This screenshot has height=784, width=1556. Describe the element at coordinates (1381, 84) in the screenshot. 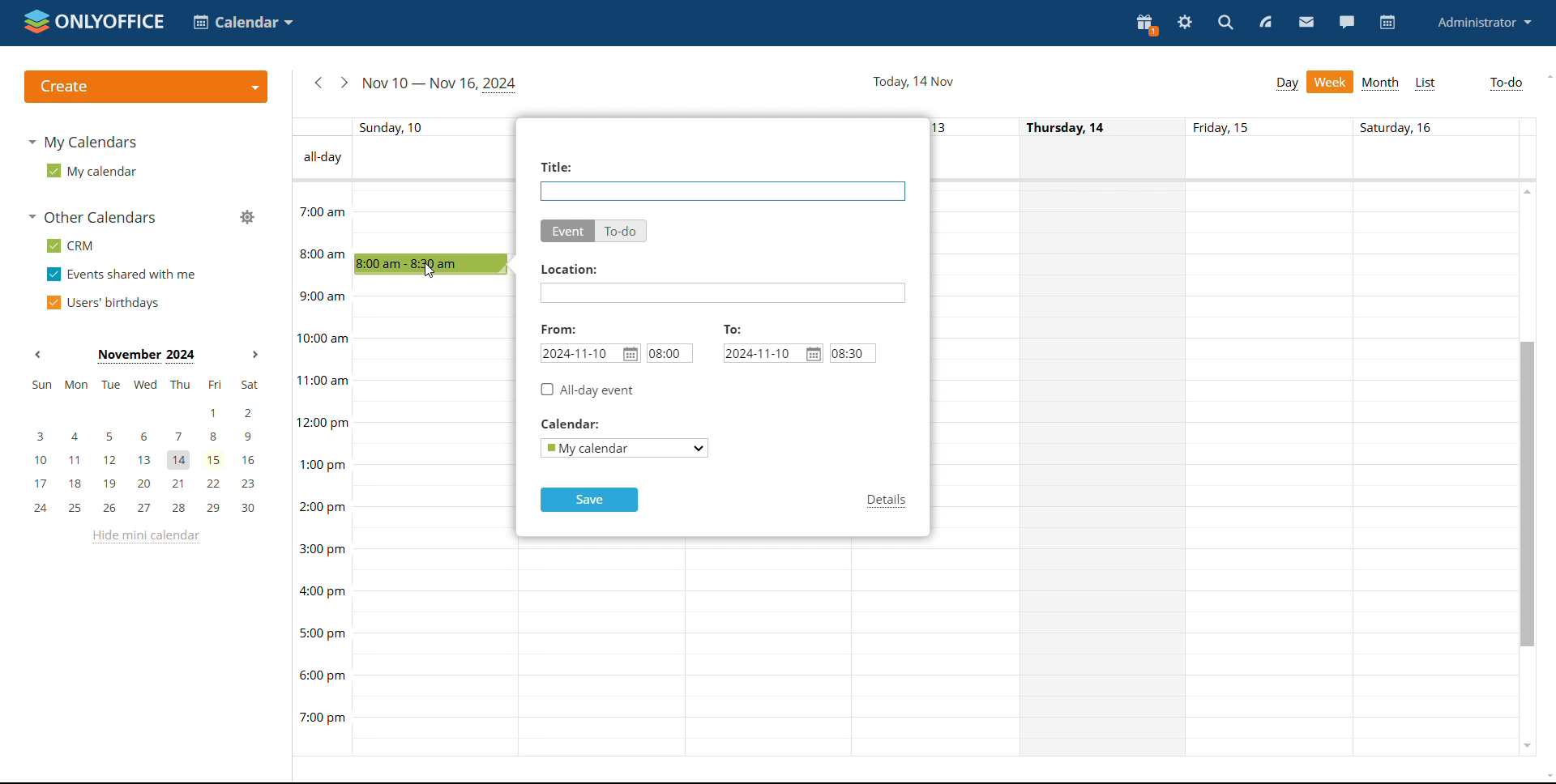

I see `month view` at that location.